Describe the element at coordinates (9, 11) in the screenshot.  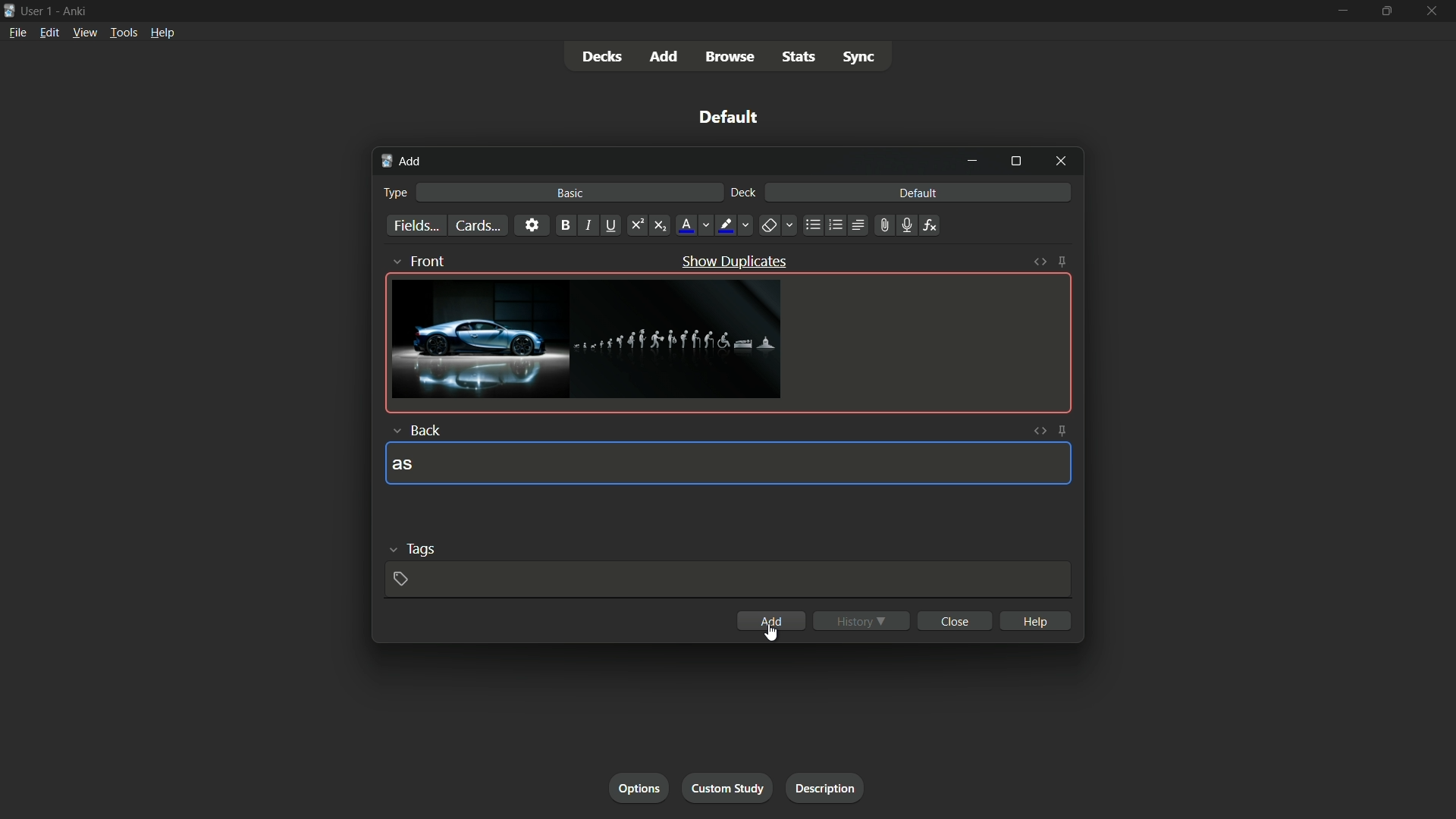
I see `app icon` at that location.